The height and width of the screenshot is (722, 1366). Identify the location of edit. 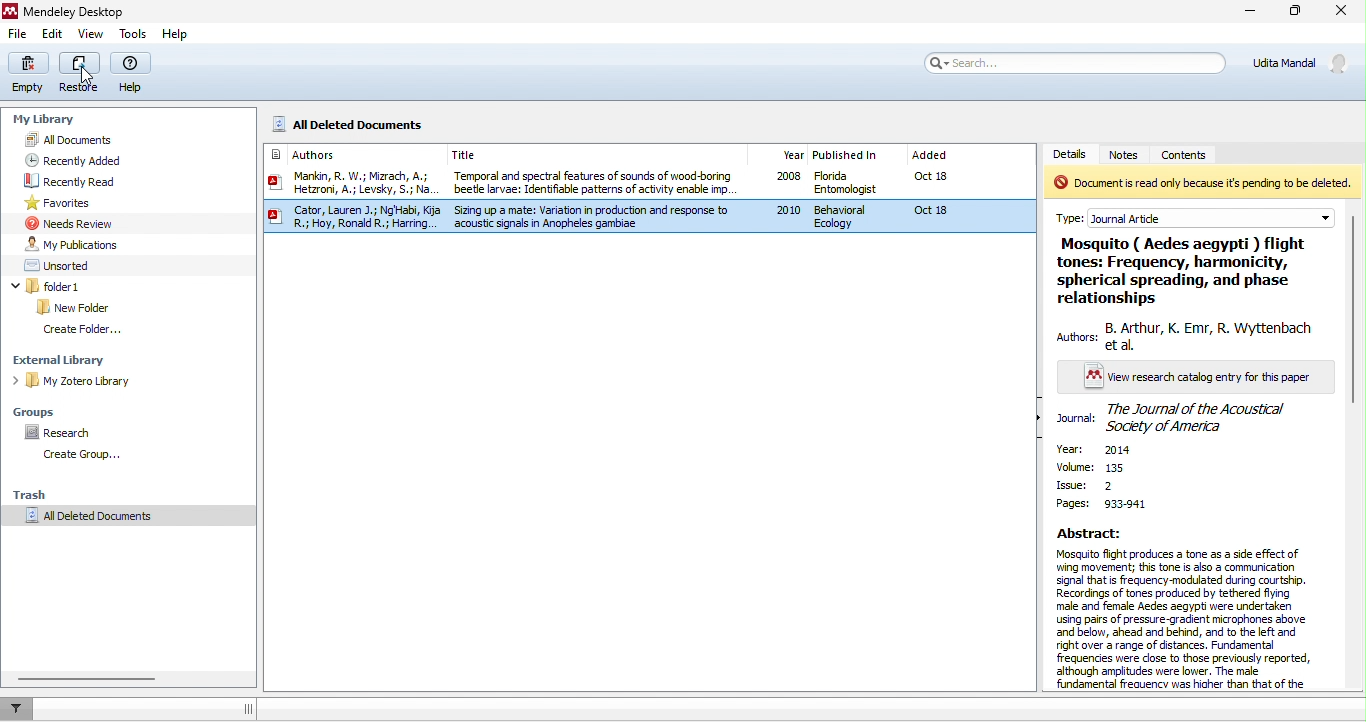
(53, 35).